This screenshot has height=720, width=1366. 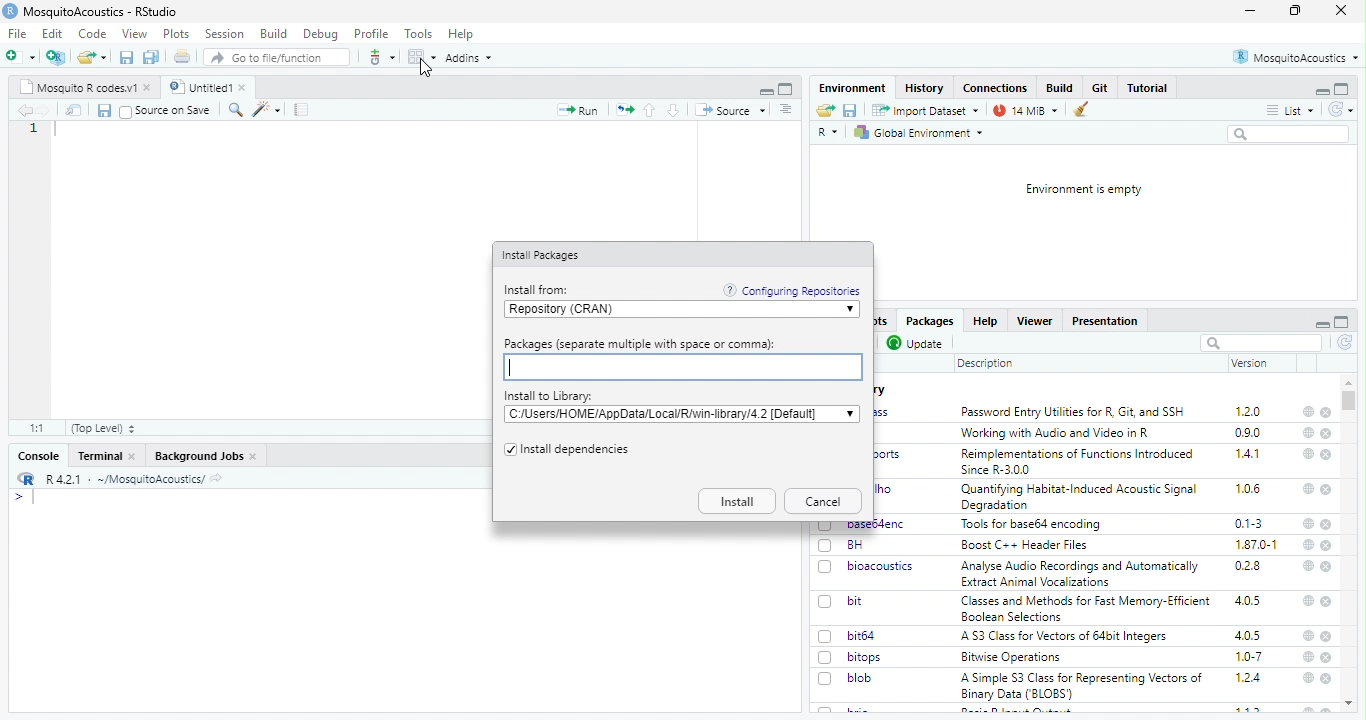 I want to click on 6 MiB, so click(x=1023, y=111).